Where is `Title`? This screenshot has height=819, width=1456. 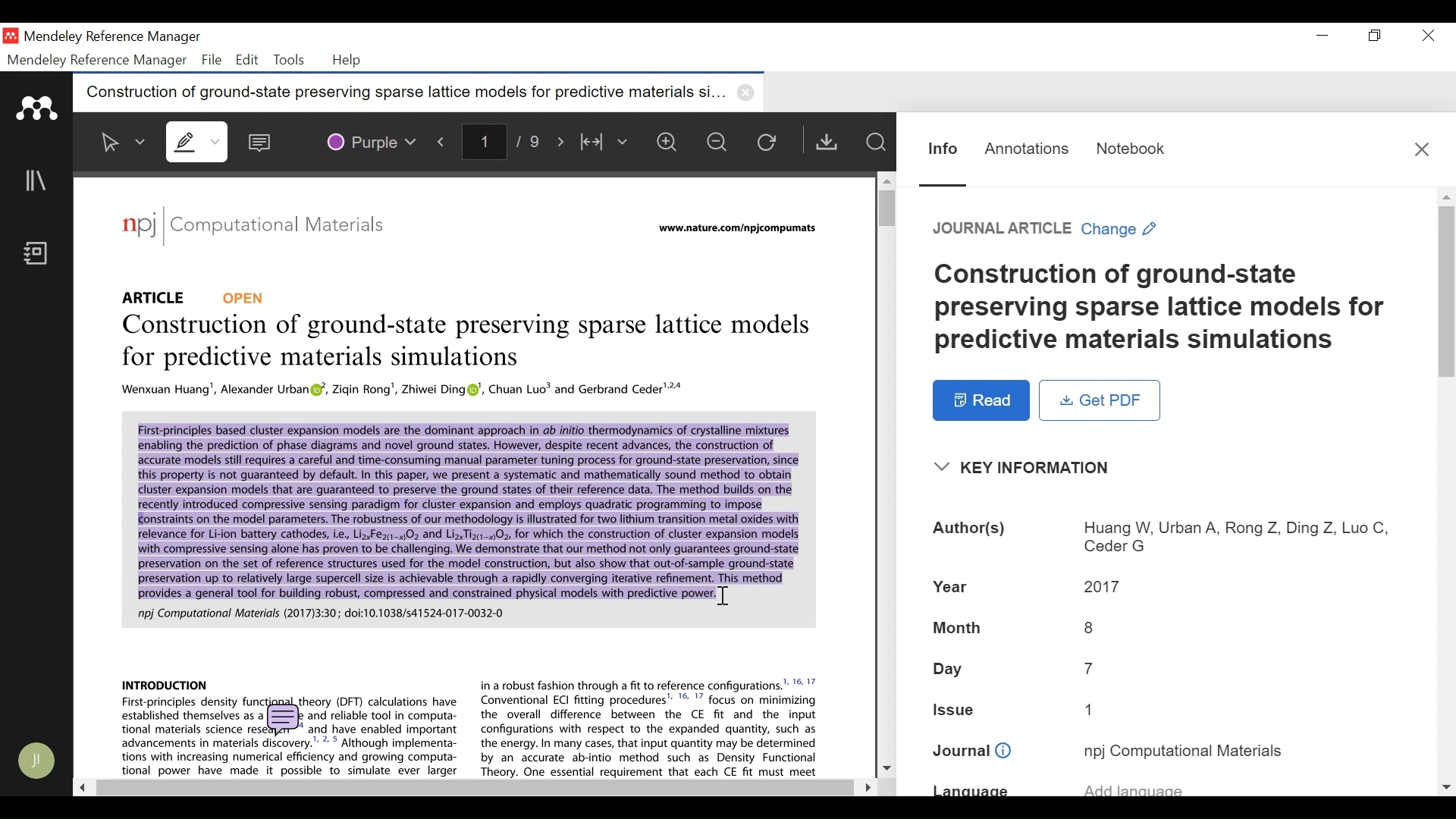 Title is located at coordinates (1163, 308).